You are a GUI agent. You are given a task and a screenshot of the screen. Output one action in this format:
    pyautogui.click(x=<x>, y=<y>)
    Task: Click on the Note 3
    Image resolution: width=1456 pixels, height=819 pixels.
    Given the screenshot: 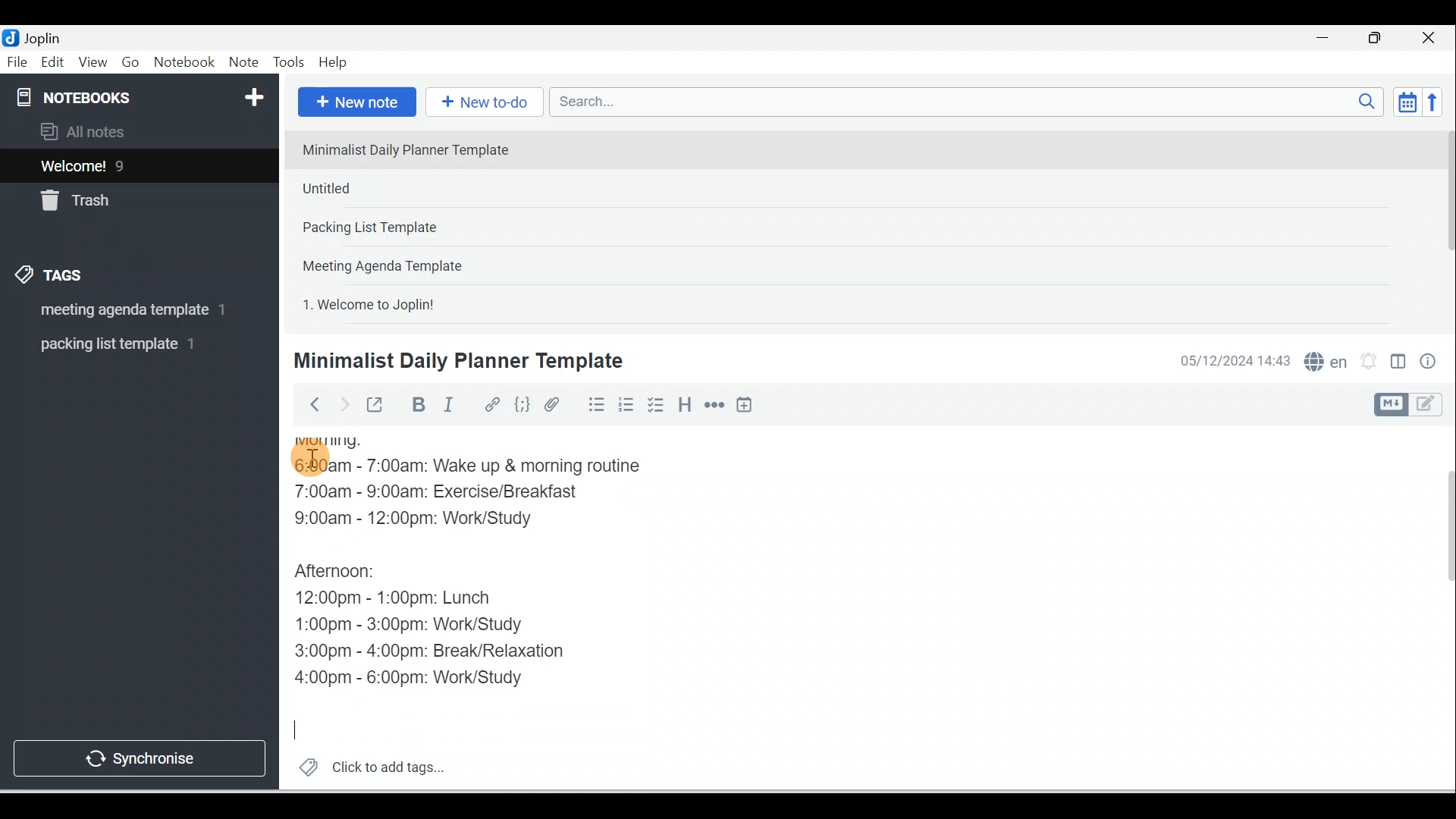 What is the action you would take?
    pyautogui.click(x=418, y=228)
    